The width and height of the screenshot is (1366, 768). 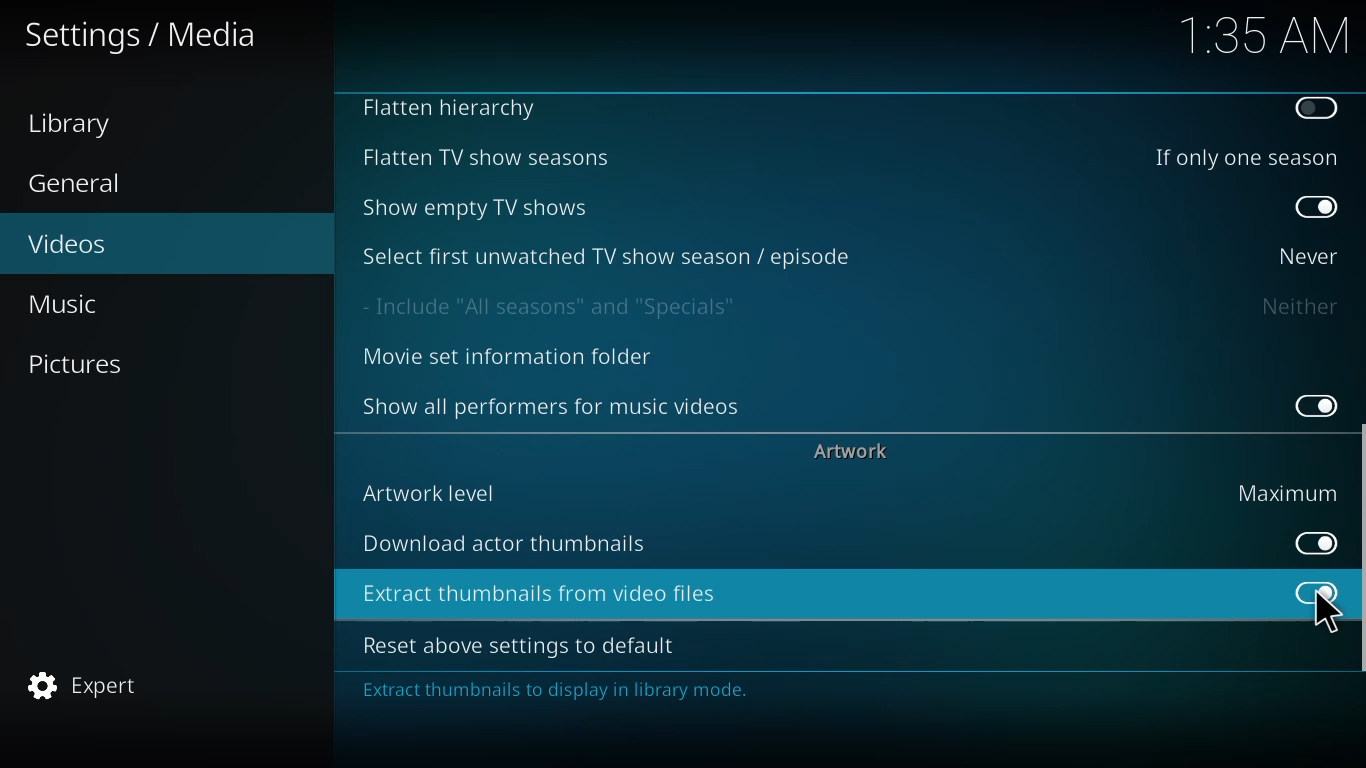 What do you see at coordinates (553, 405) in the screenshot?
I see `show all performers` at bounding box center [553, 405].